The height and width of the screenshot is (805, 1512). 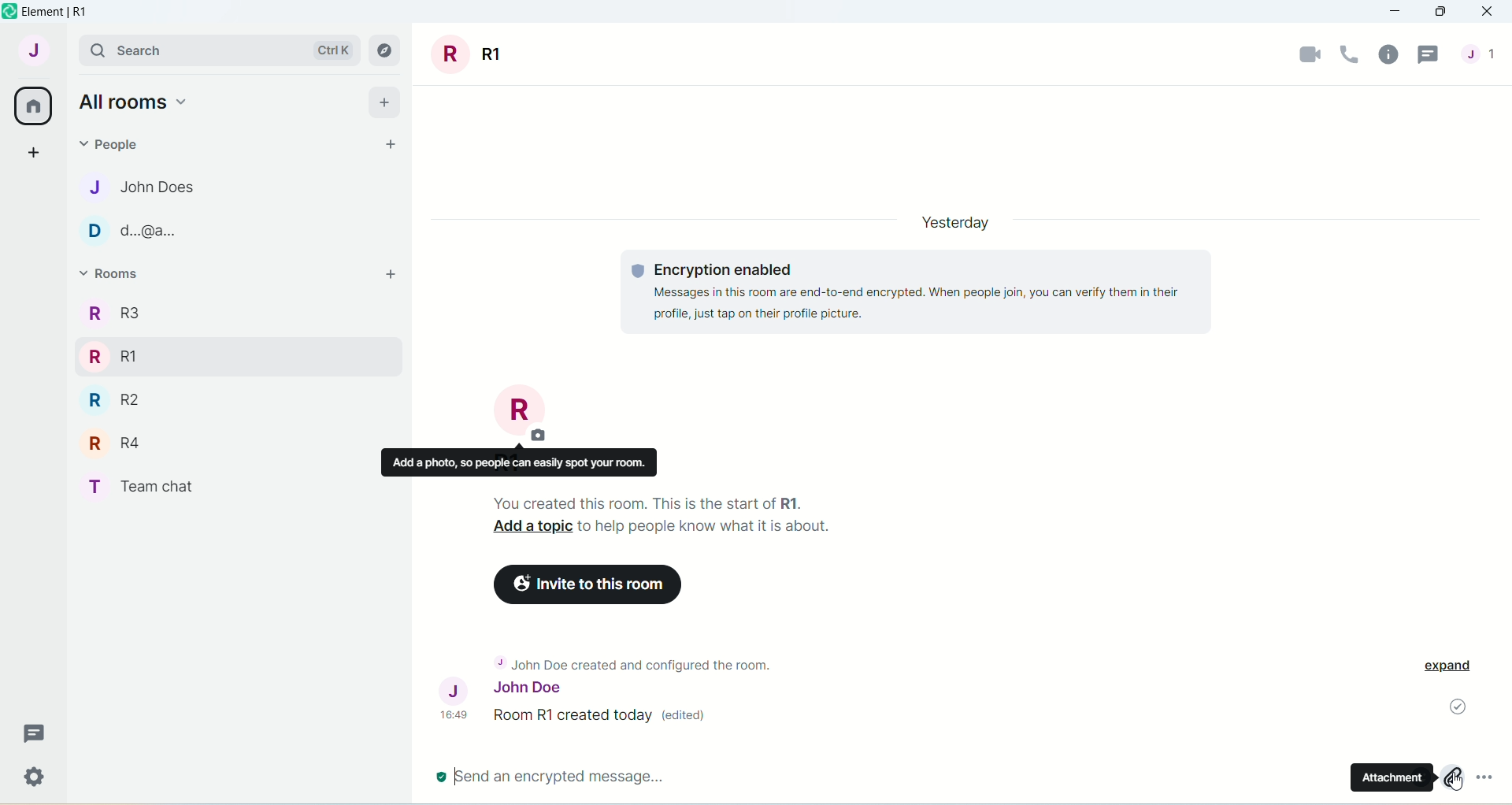 I want to click on Settings, so click(x=39, y=781).